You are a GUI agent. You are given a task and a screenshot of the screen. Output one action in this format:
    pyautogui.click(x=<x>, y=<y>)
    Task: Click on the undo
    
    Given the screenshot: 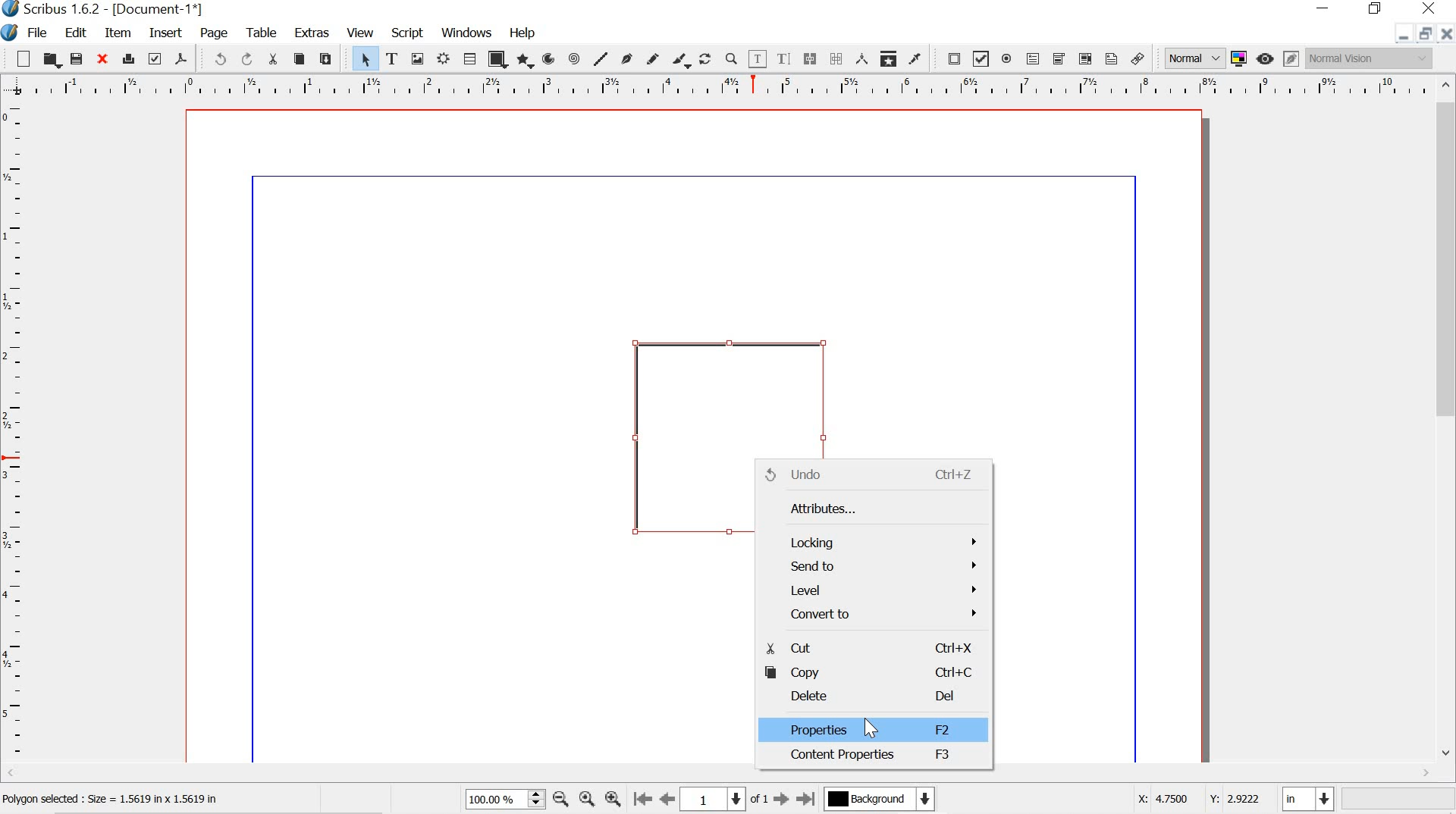 What is the action you would take?
    pyautogui.click(x=218, y=61)
    